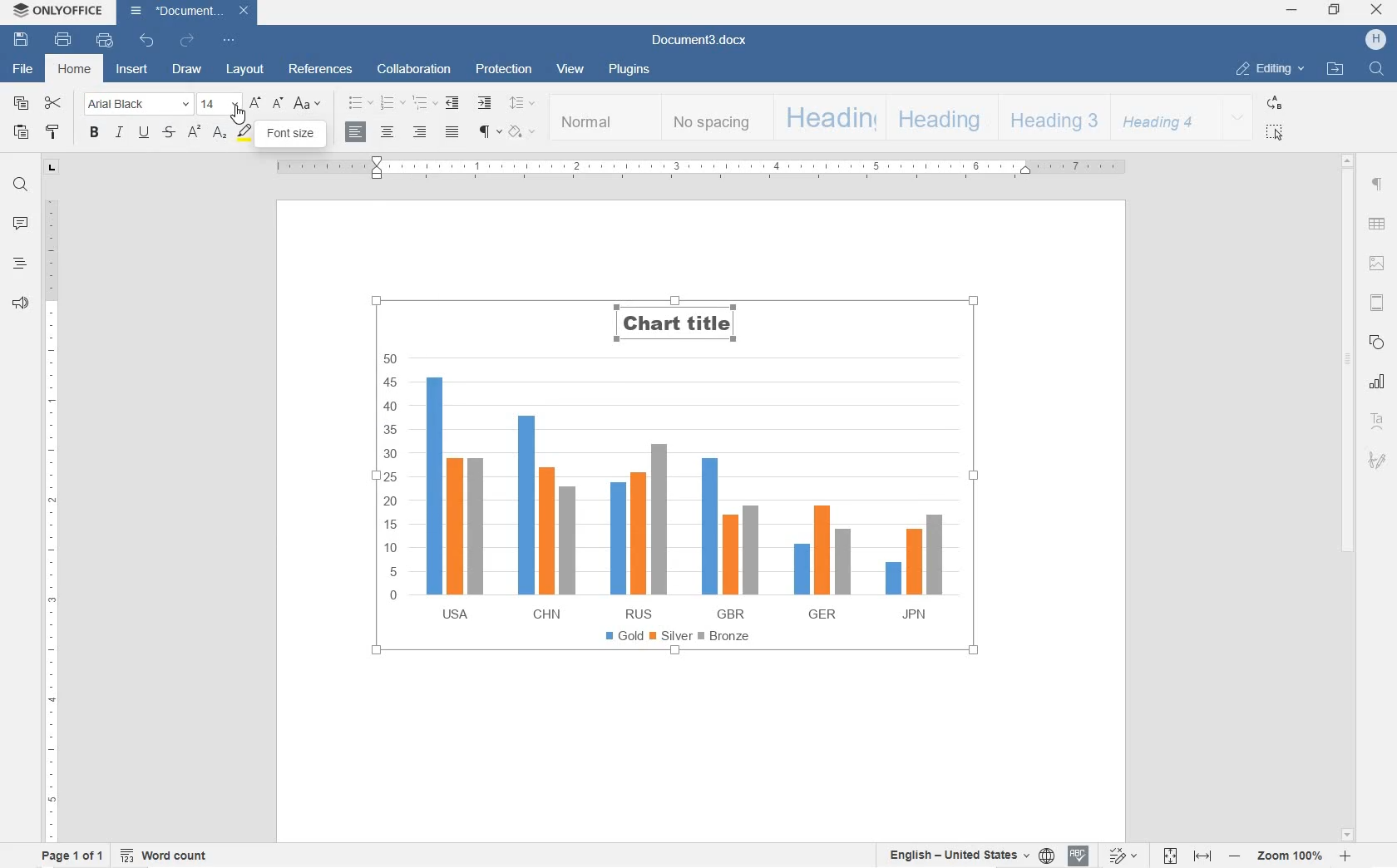 The height and width of the screenshot is (868, 1397). I want to click on BOLD, so click(94, 133).